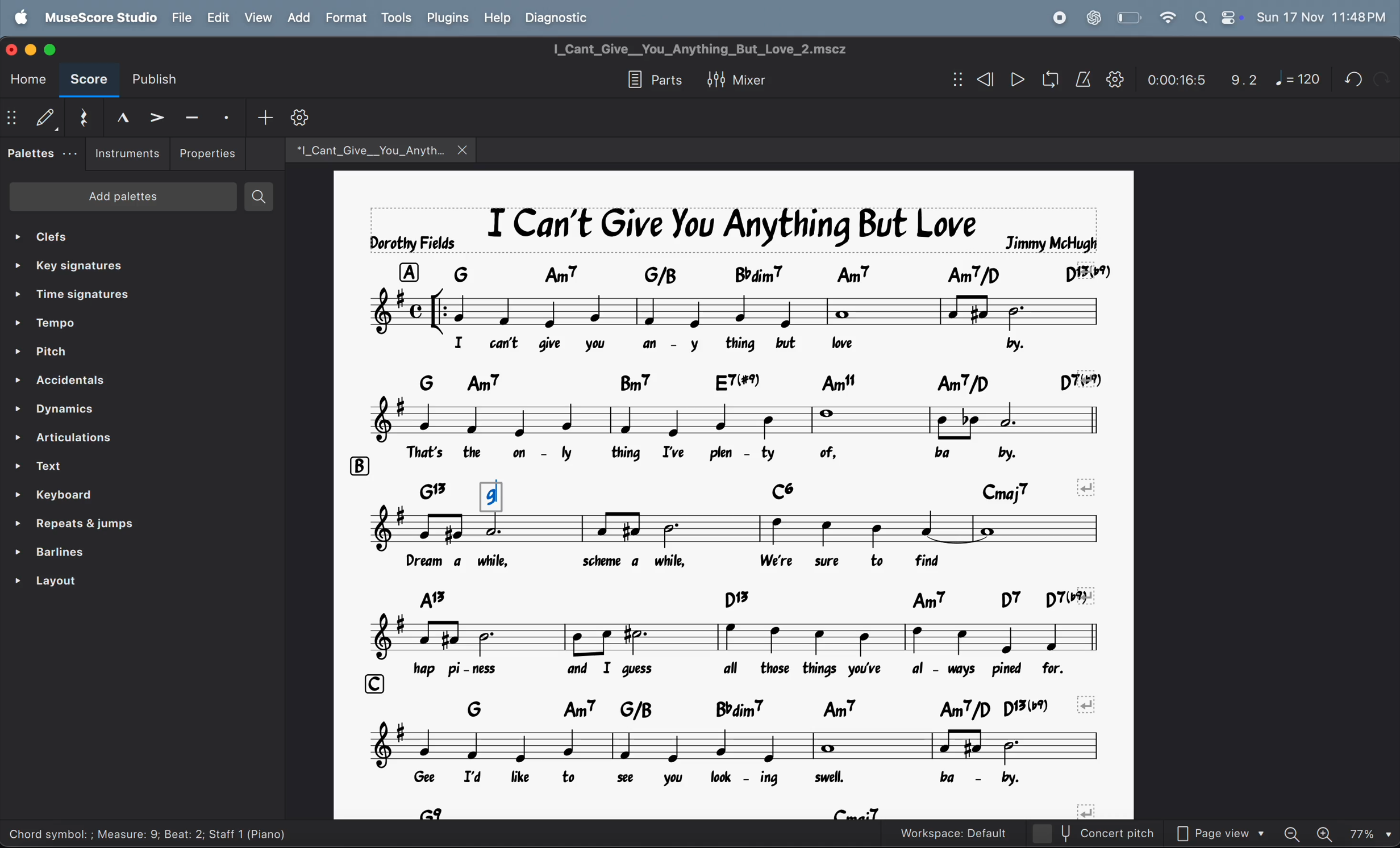  I want to click on palettes, so click(43, 152).